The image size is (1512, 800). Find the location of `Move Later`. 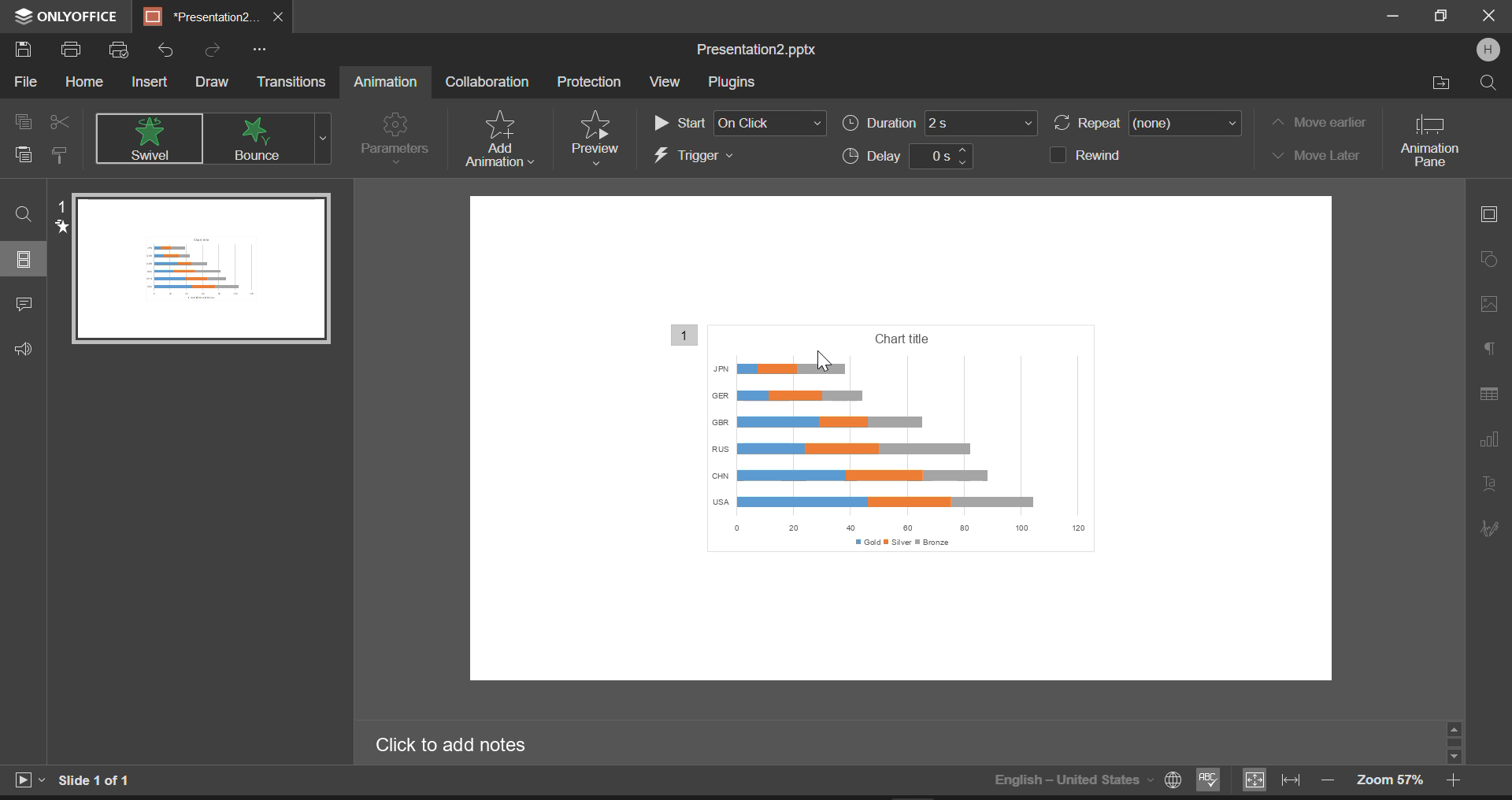

Move Later is located at coordinates (1315, 156).